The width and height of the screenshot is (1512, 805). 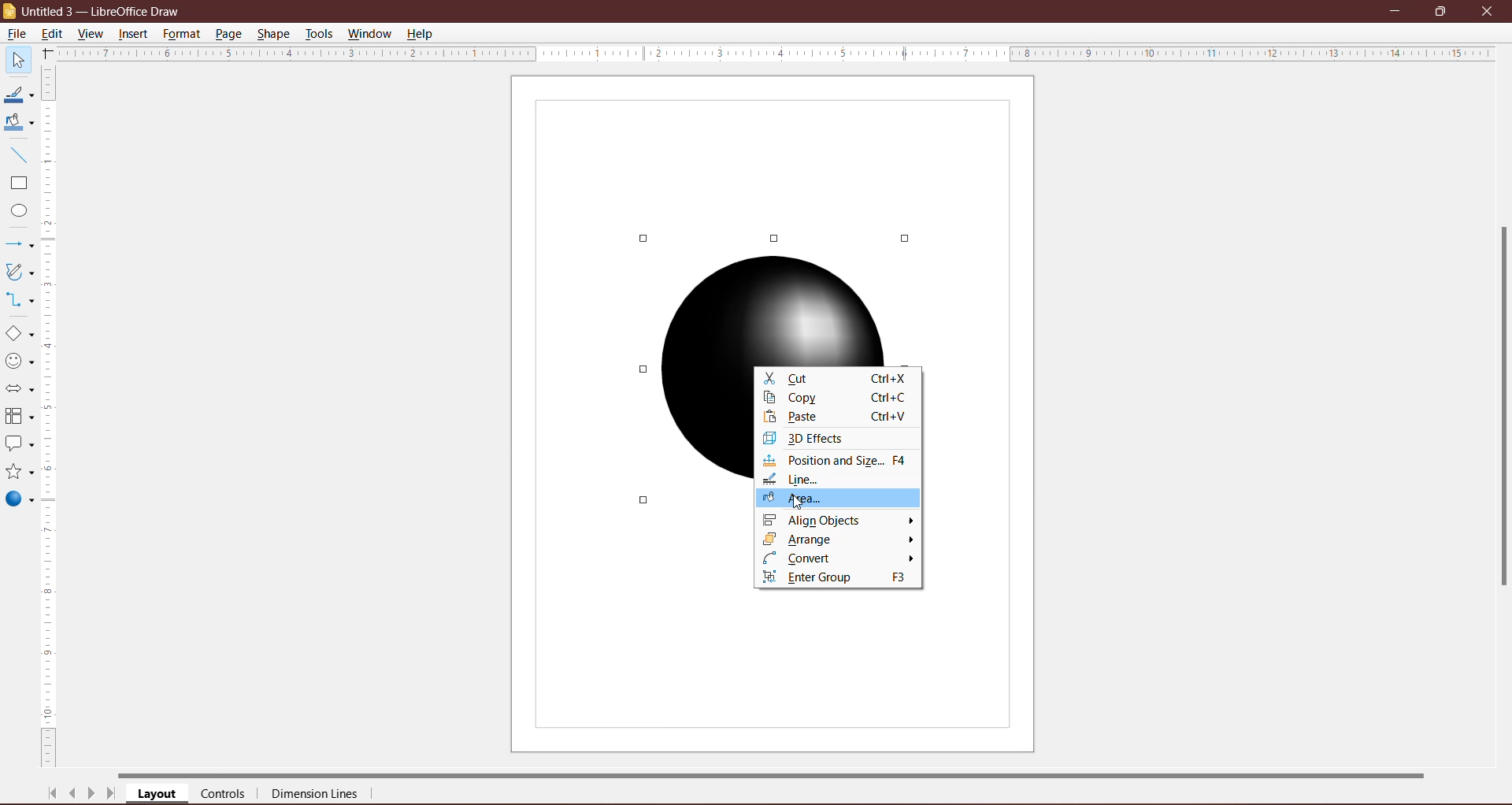 I want to click on Select, so click(x=17, y=59).